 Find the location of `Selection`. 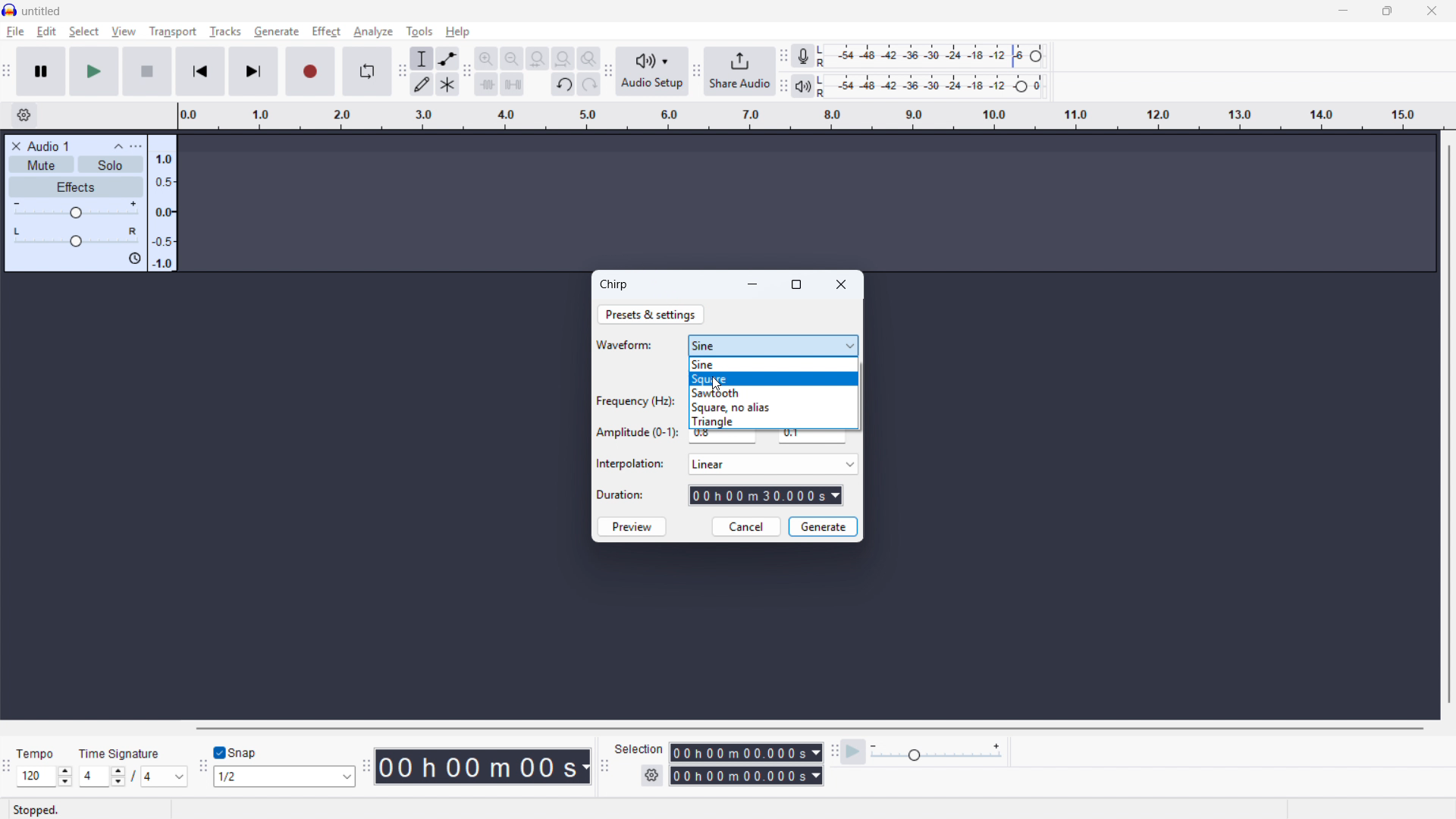

Selection is located at coordinates (641, 750).